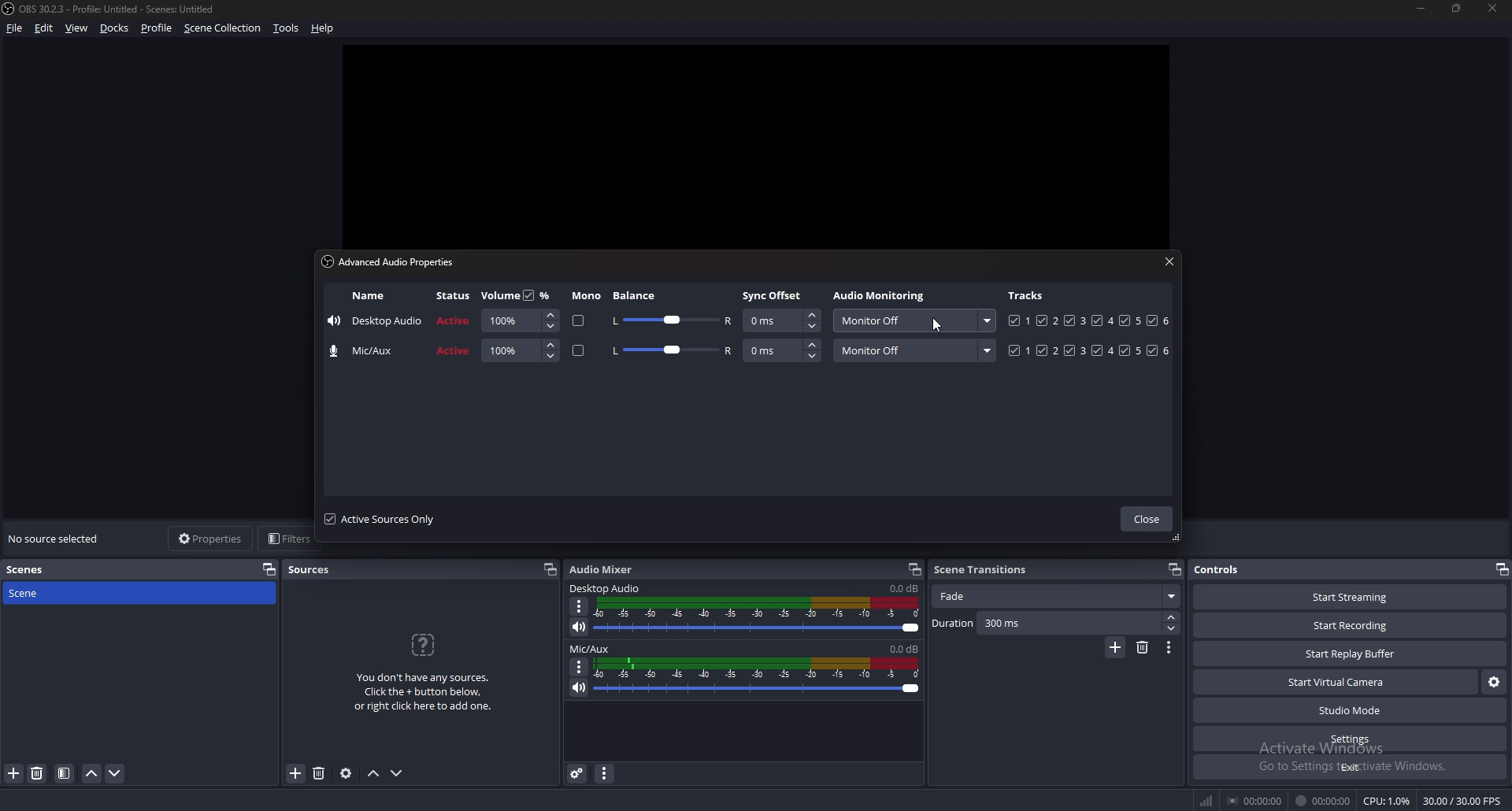 This screenshot has height=811, width=1512. Describe the element at coordinates (519, 320) in the screenshot. I see `volume adjust` at that location.